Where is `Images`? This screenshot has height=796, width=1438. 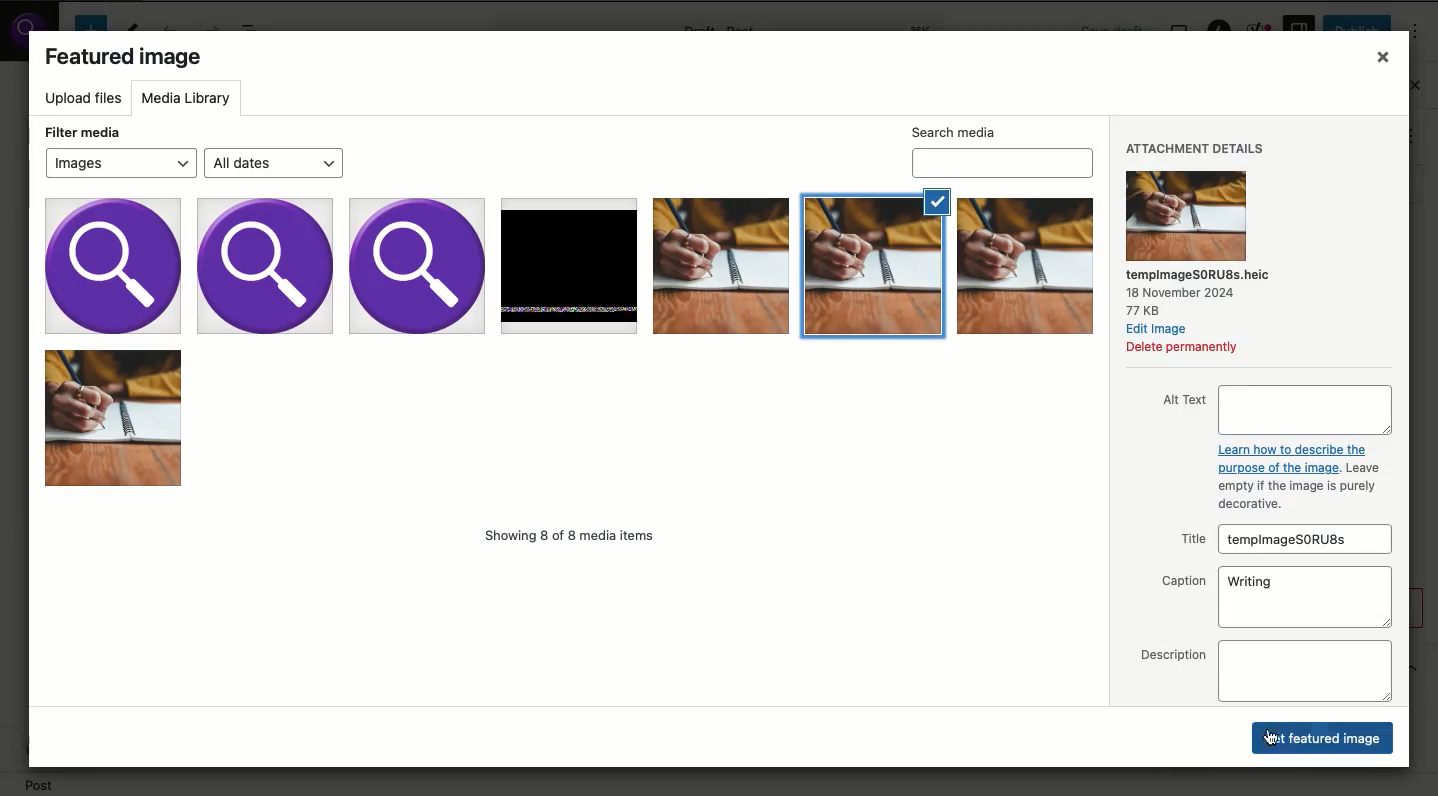 Images is located at coordinates (119, 163).